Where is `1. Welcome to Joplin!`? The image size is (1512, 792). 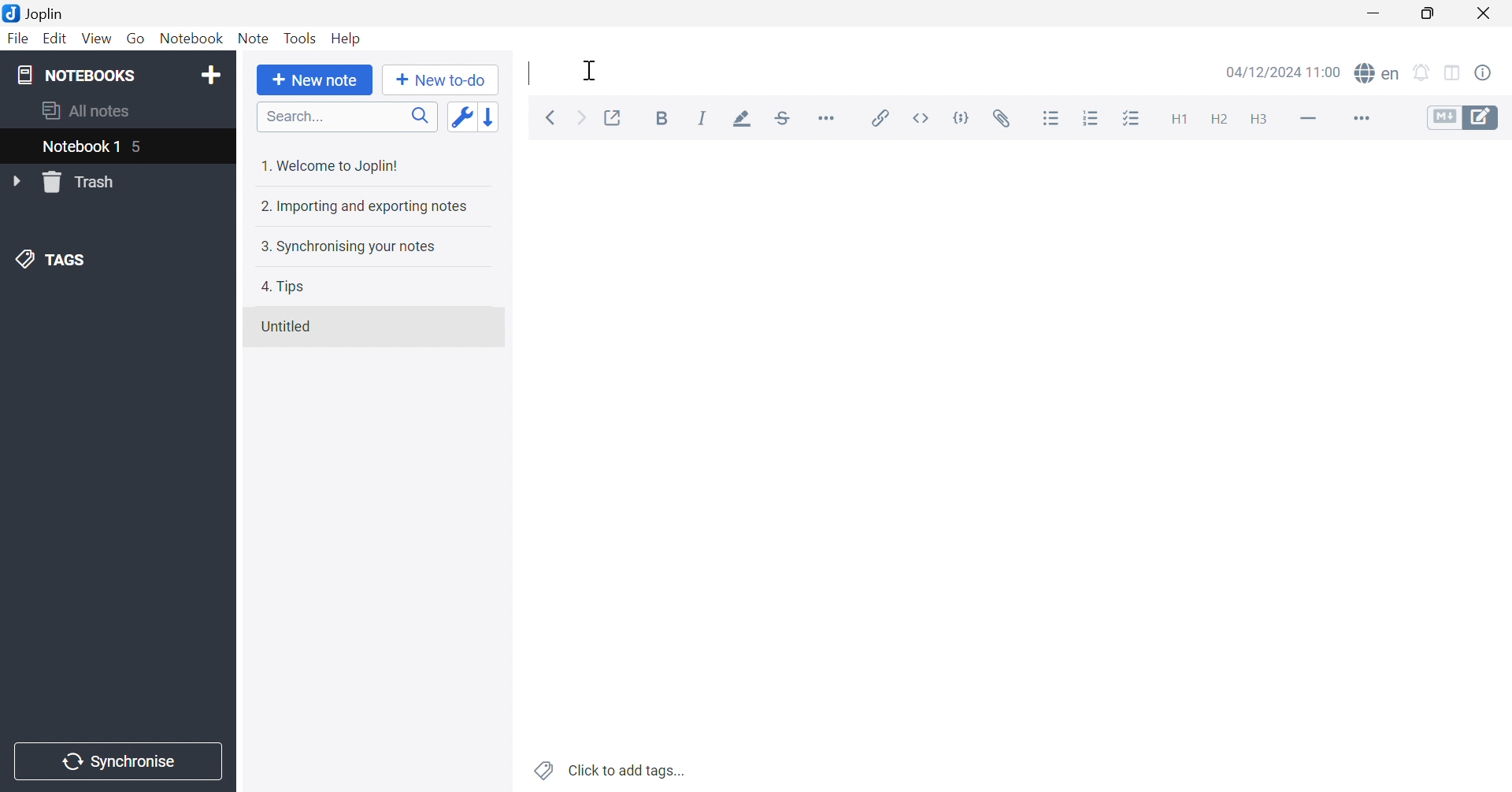
1. Welcome to Joplin! is located at coordinates (336, 163).